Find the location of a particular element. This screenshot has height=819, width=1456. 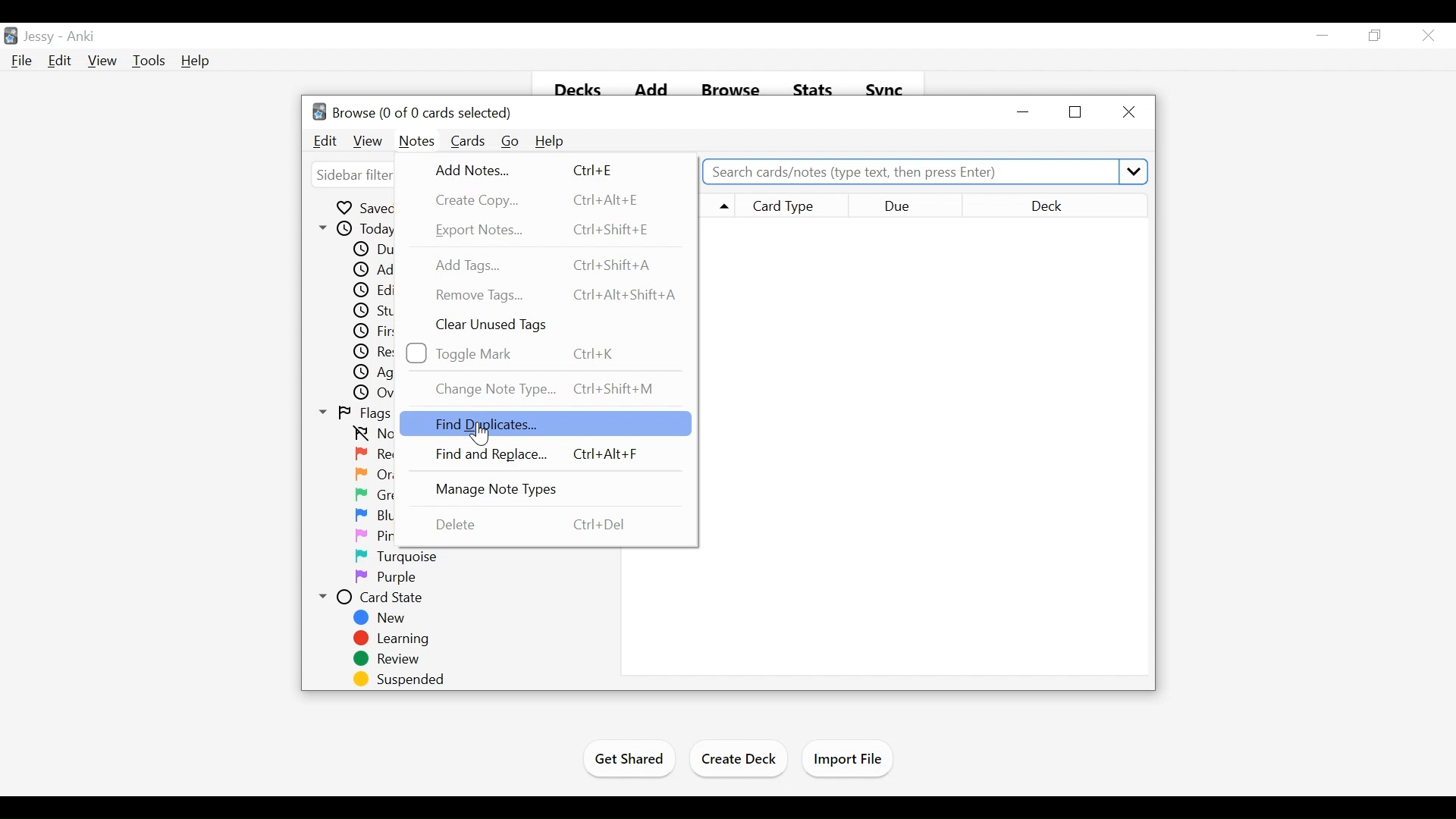

Find and Replace is located at coordinates (538, 455).